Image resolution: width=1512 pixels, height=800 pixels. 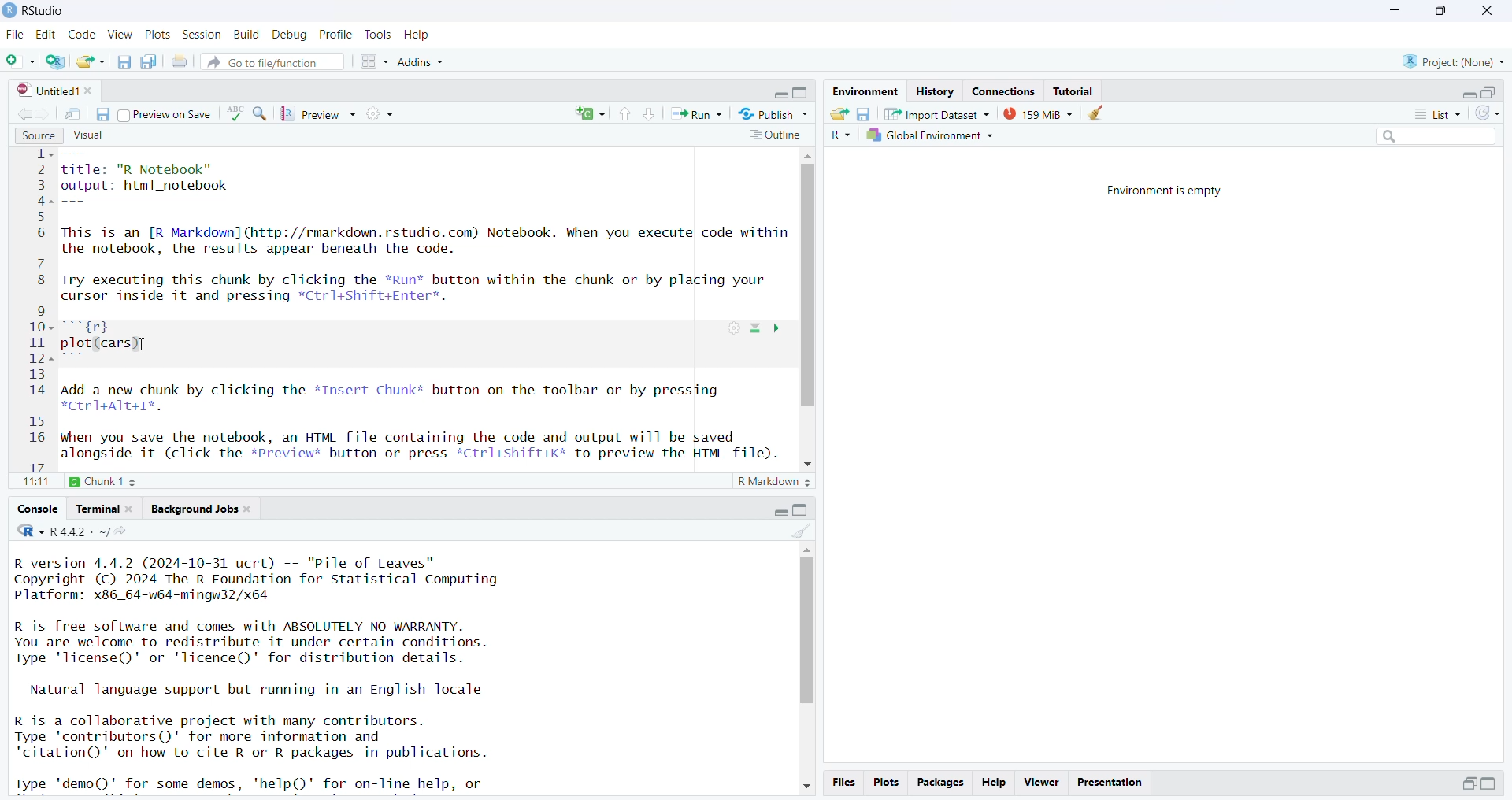 I want to click on debug, so click(x=291, y=35).